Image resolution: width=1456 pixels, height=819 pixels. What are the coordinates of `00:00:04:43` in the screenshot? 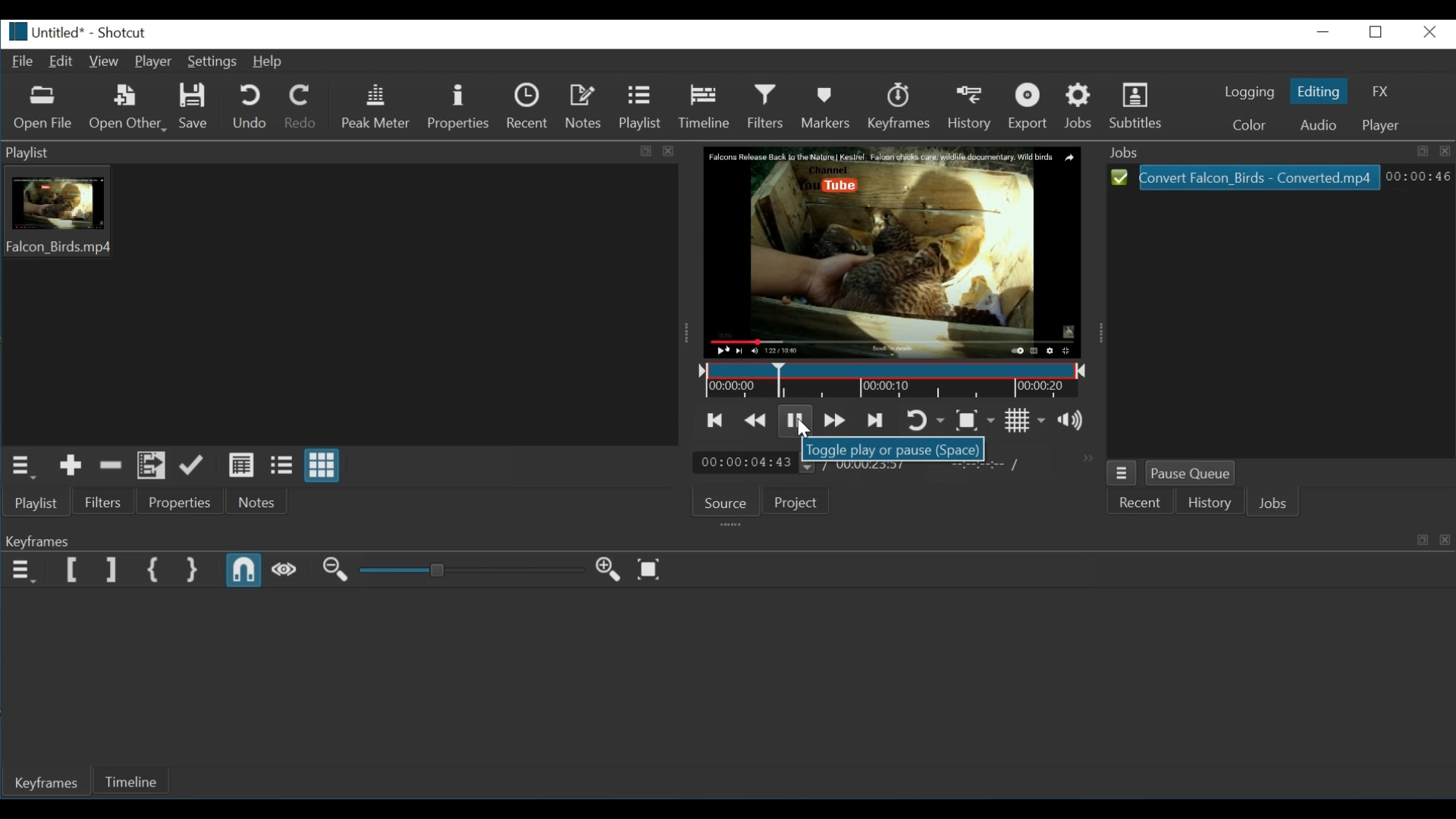 It's located at (745, 461).